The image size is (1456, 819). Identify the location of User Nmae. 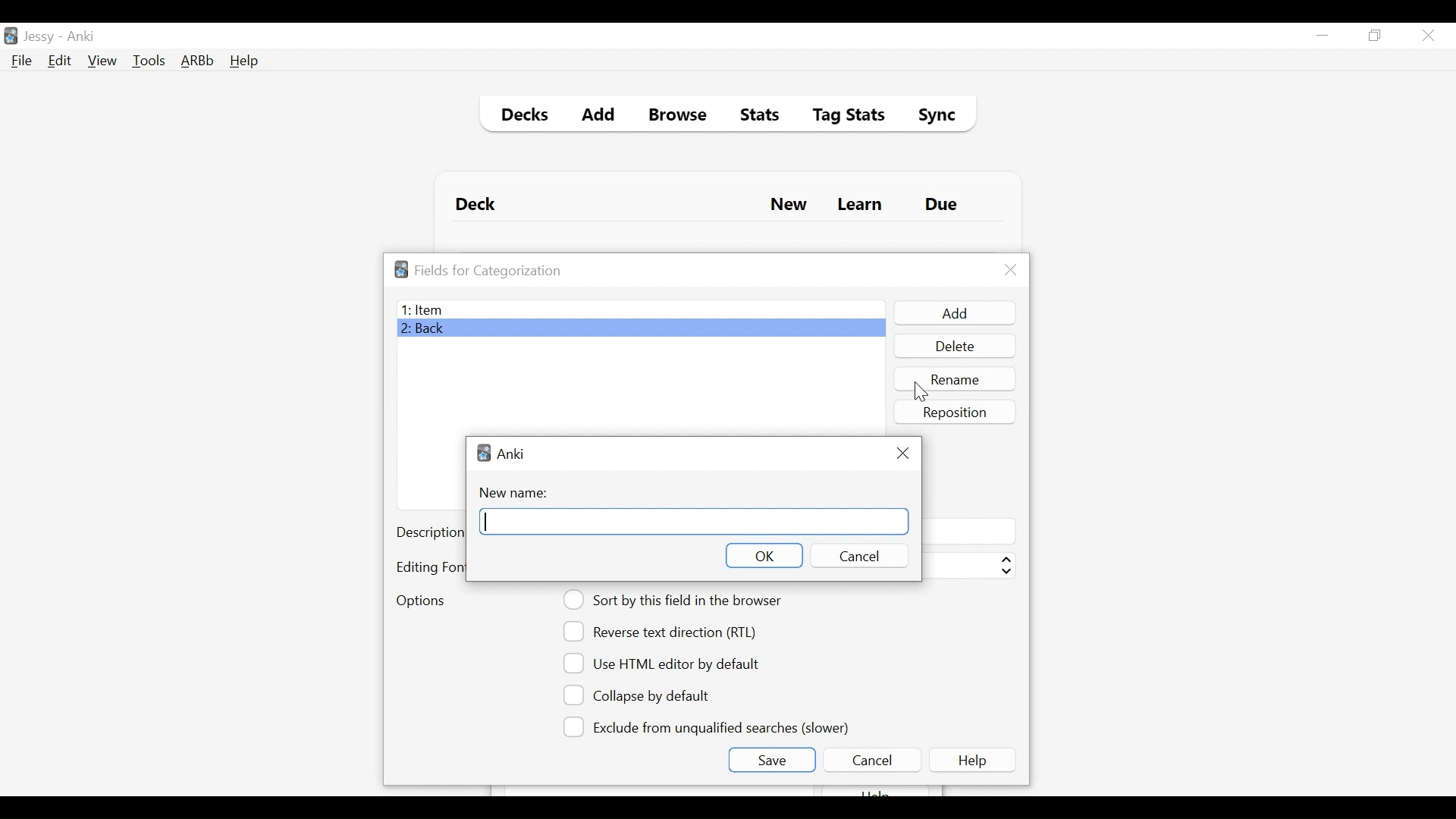
(42, 37).